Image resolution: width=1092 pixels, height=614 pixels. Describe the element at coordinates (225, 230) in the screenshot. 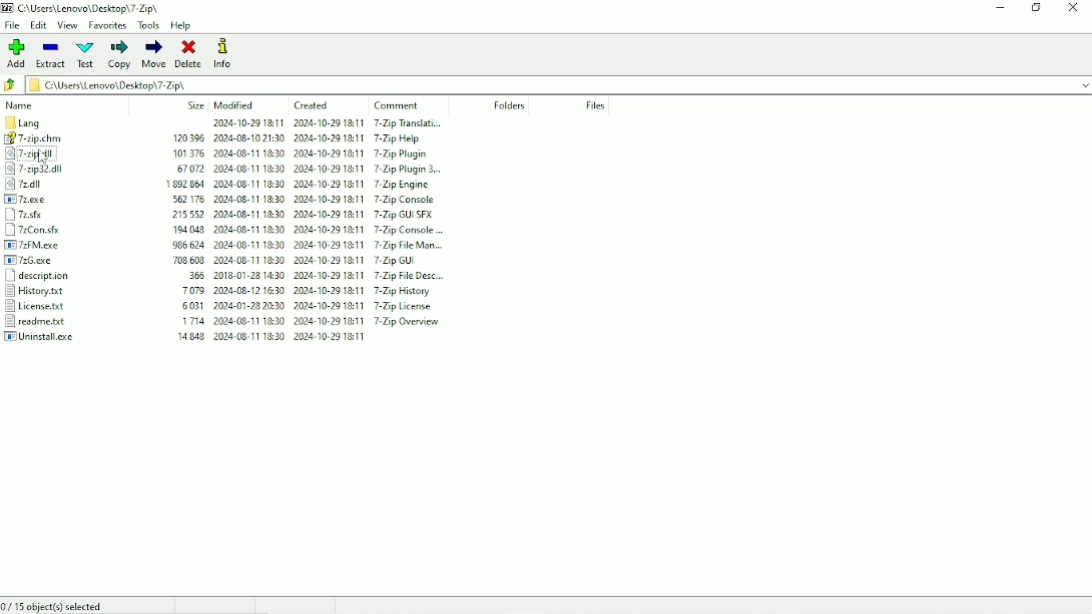

I see `7zCon.sfx` at that location.